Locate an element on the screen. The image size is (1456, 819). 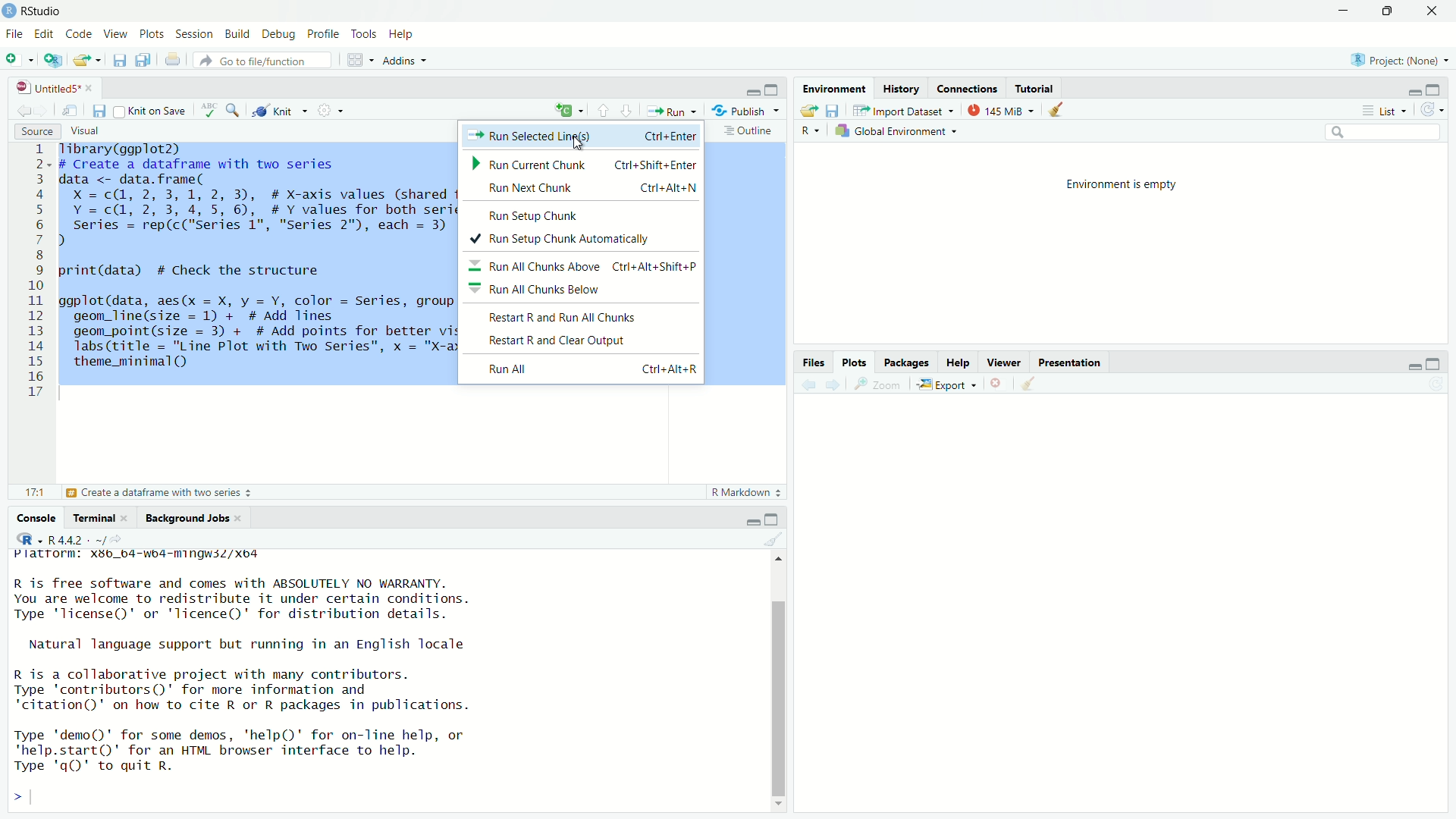
Untitled is located at coordinates (53, 86).